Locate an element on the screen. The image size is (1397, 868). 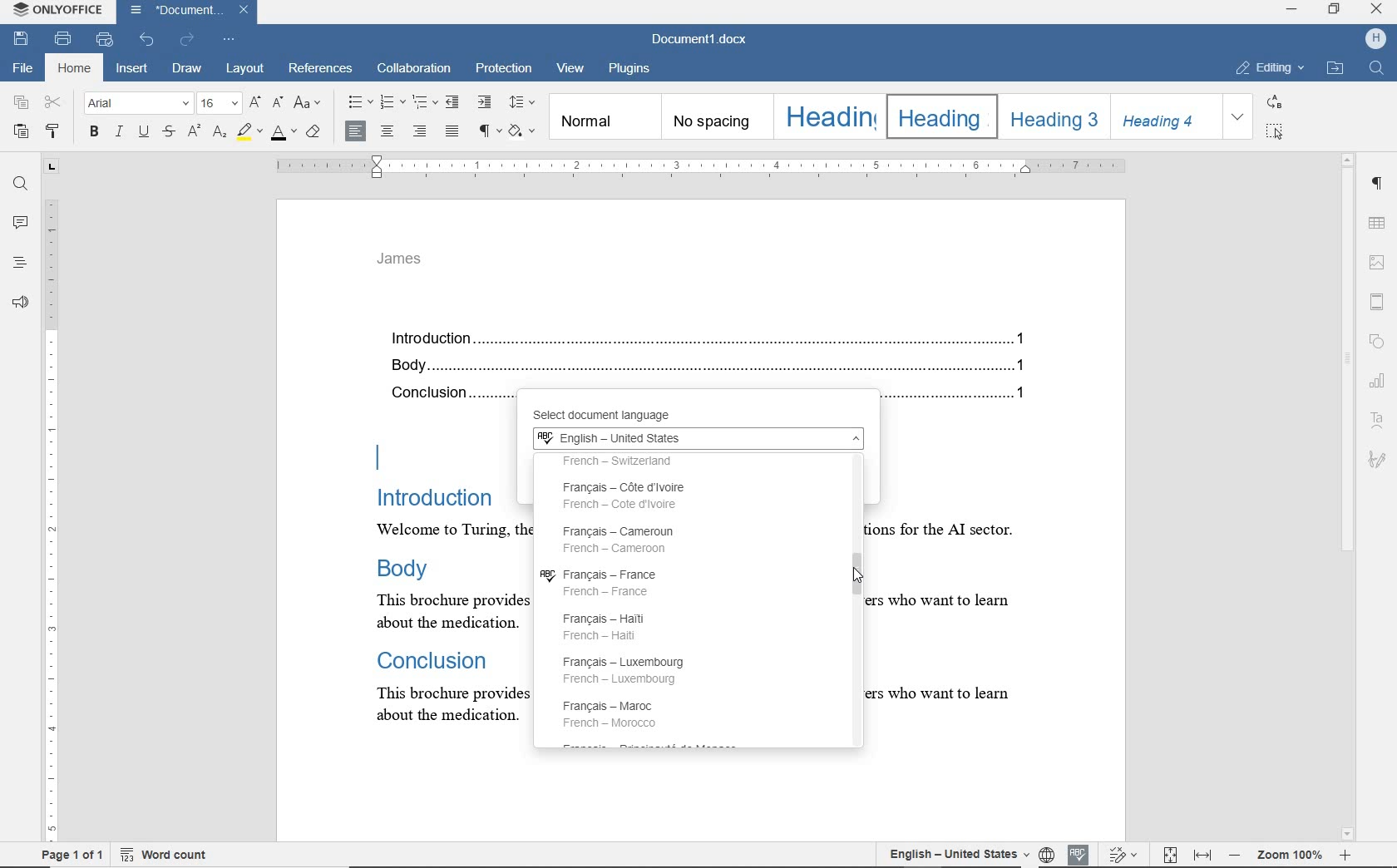
font color is located at coordinates (285, 131).